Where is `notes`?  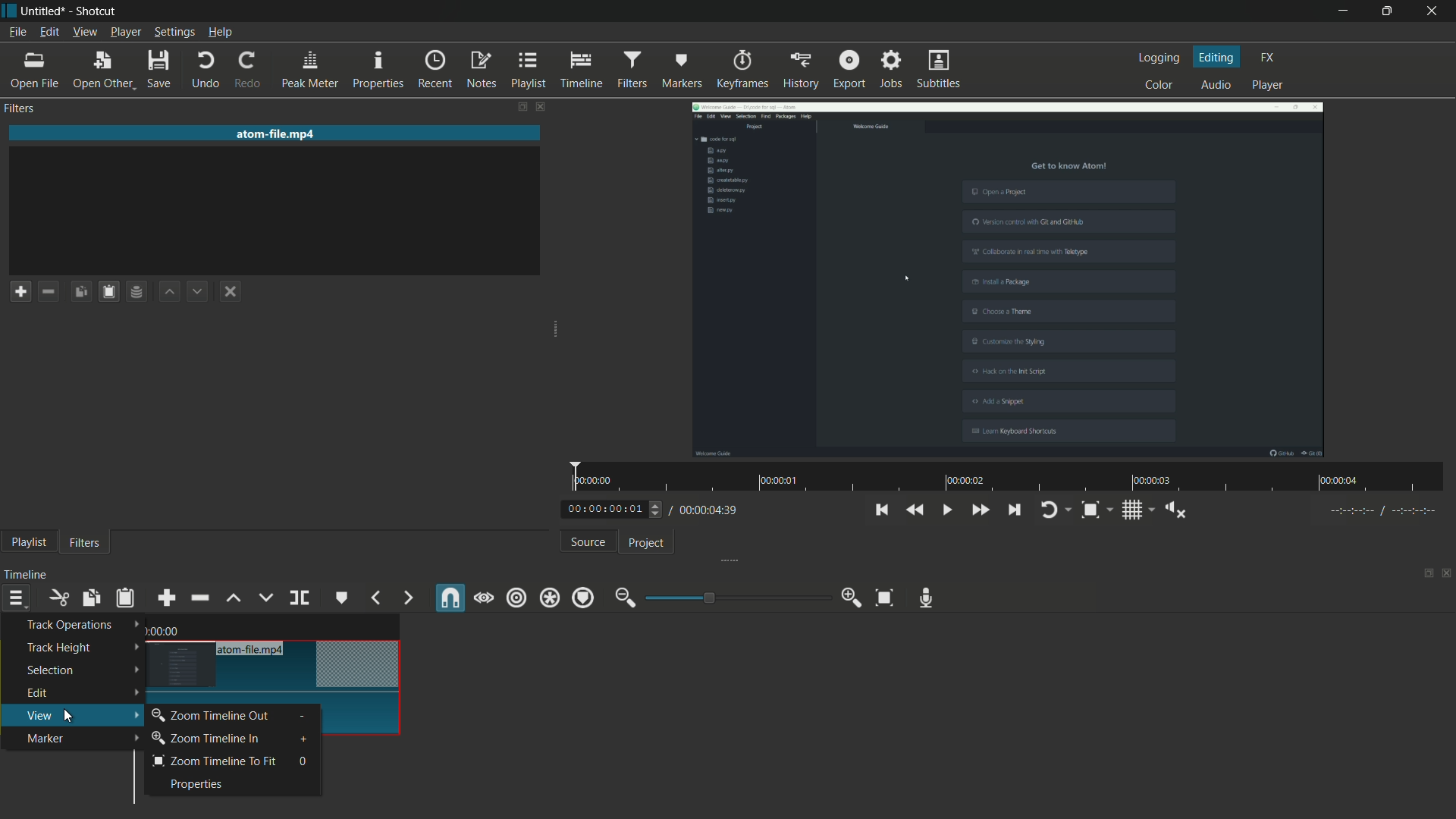
notes is located at coordinates (482, 71).